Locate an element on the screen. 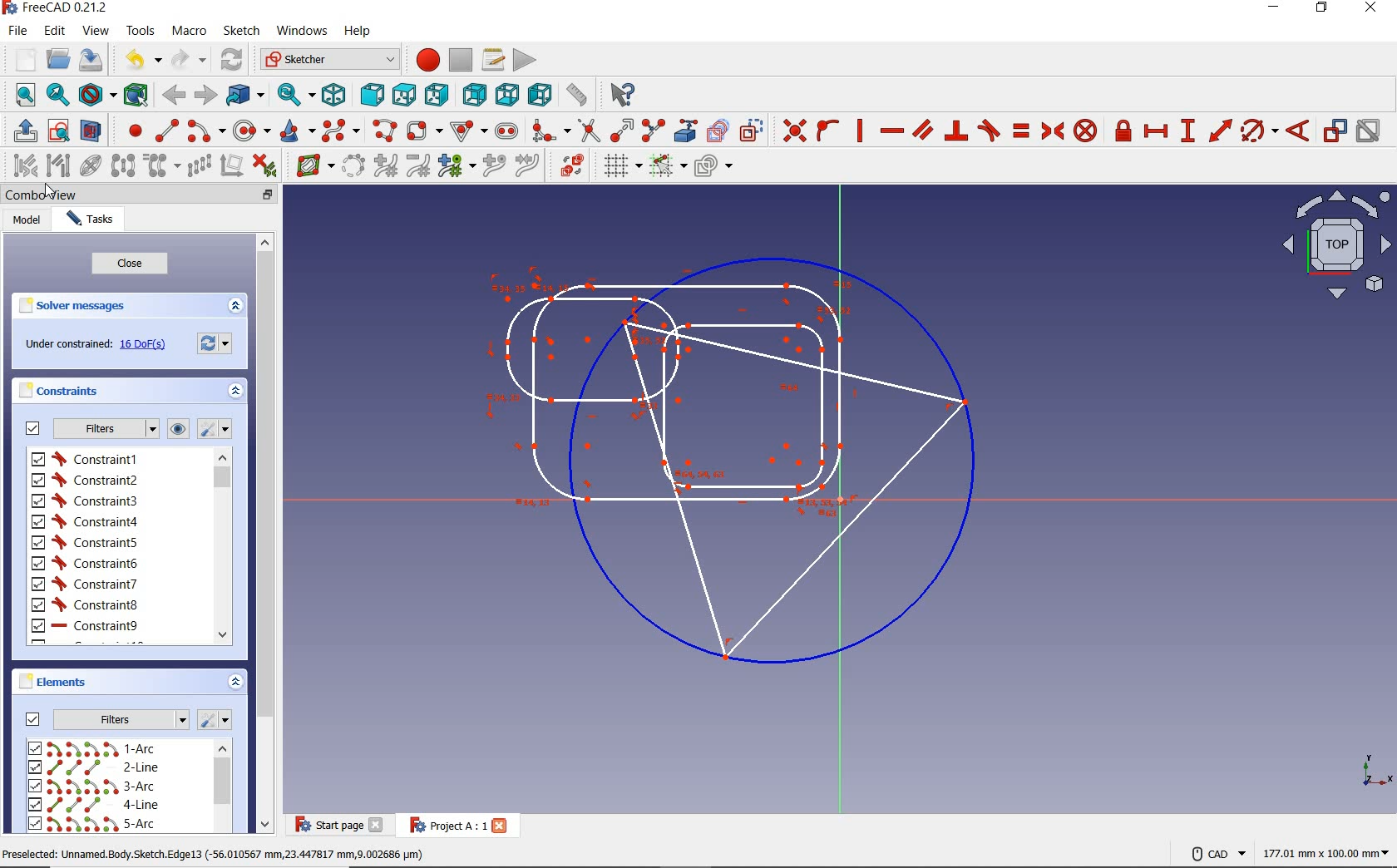  constraint1 is located at coordinates (86, 479).